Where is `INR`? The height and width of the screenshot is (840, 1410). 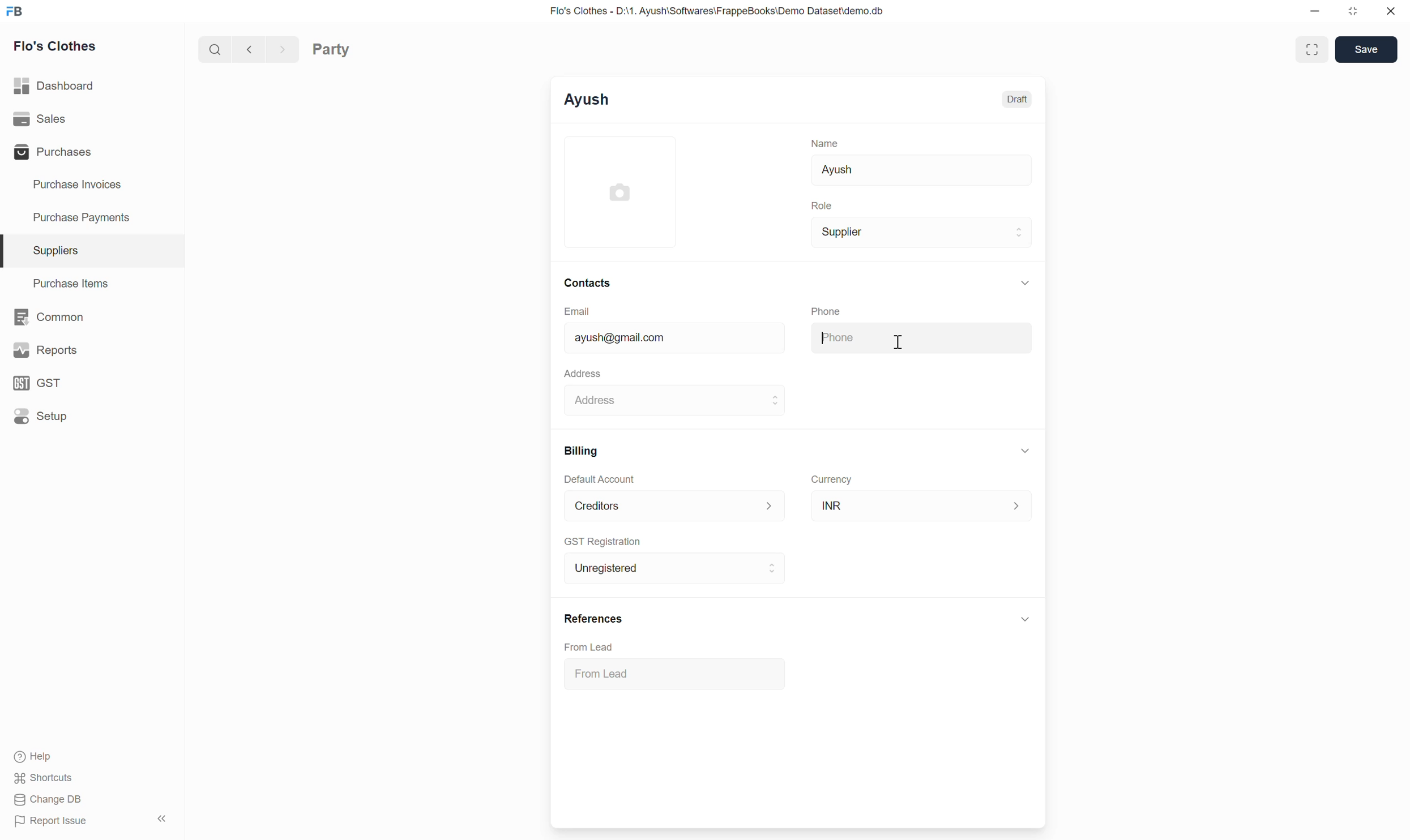 INR is located at coordinates (922, 505).